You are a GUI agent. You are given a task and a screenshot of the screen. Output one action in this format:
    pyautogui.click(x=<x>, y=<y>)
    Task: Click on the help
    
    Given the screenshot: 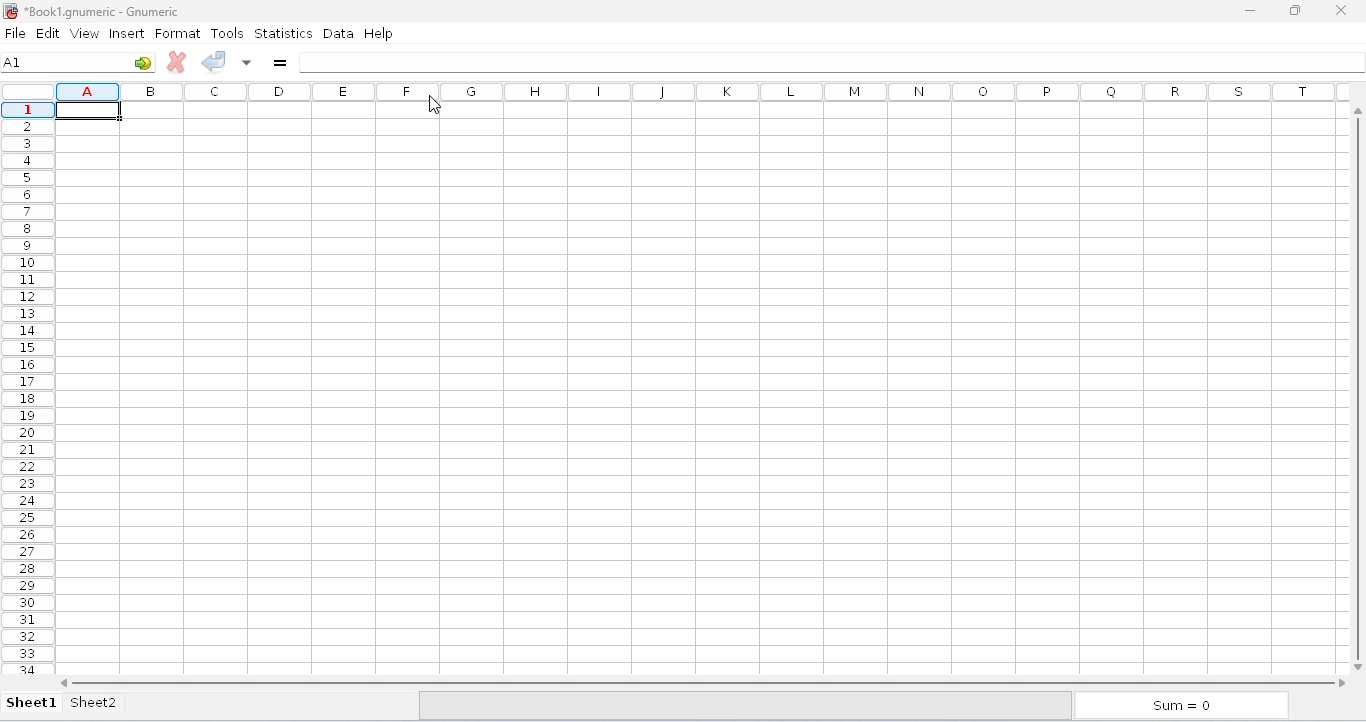 What is the action you would take?
    pyautogui.click(x=379, y=32)
    